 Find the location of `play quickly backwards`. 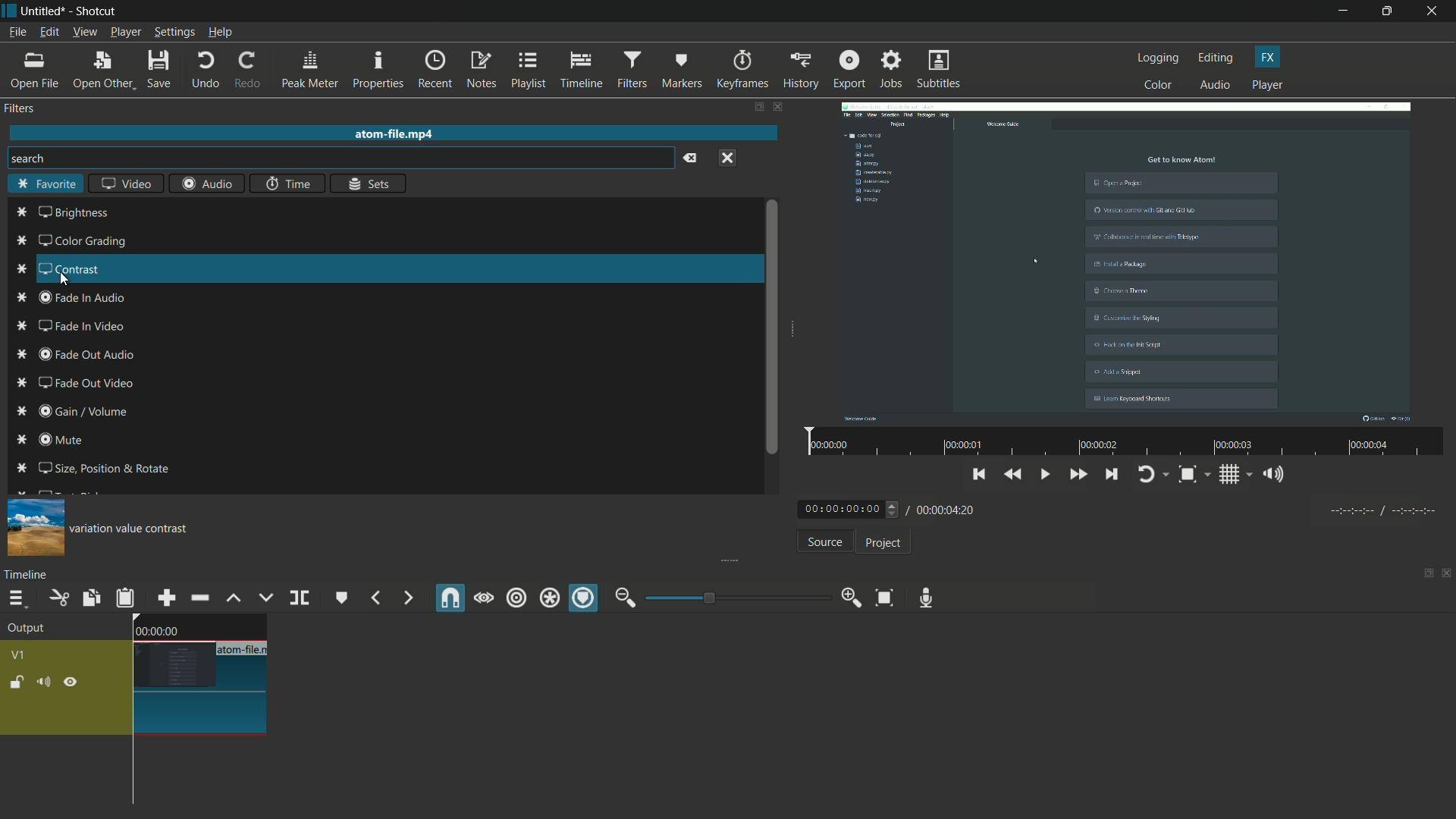

play quickly backwards is located at coordinates (1014, 475).